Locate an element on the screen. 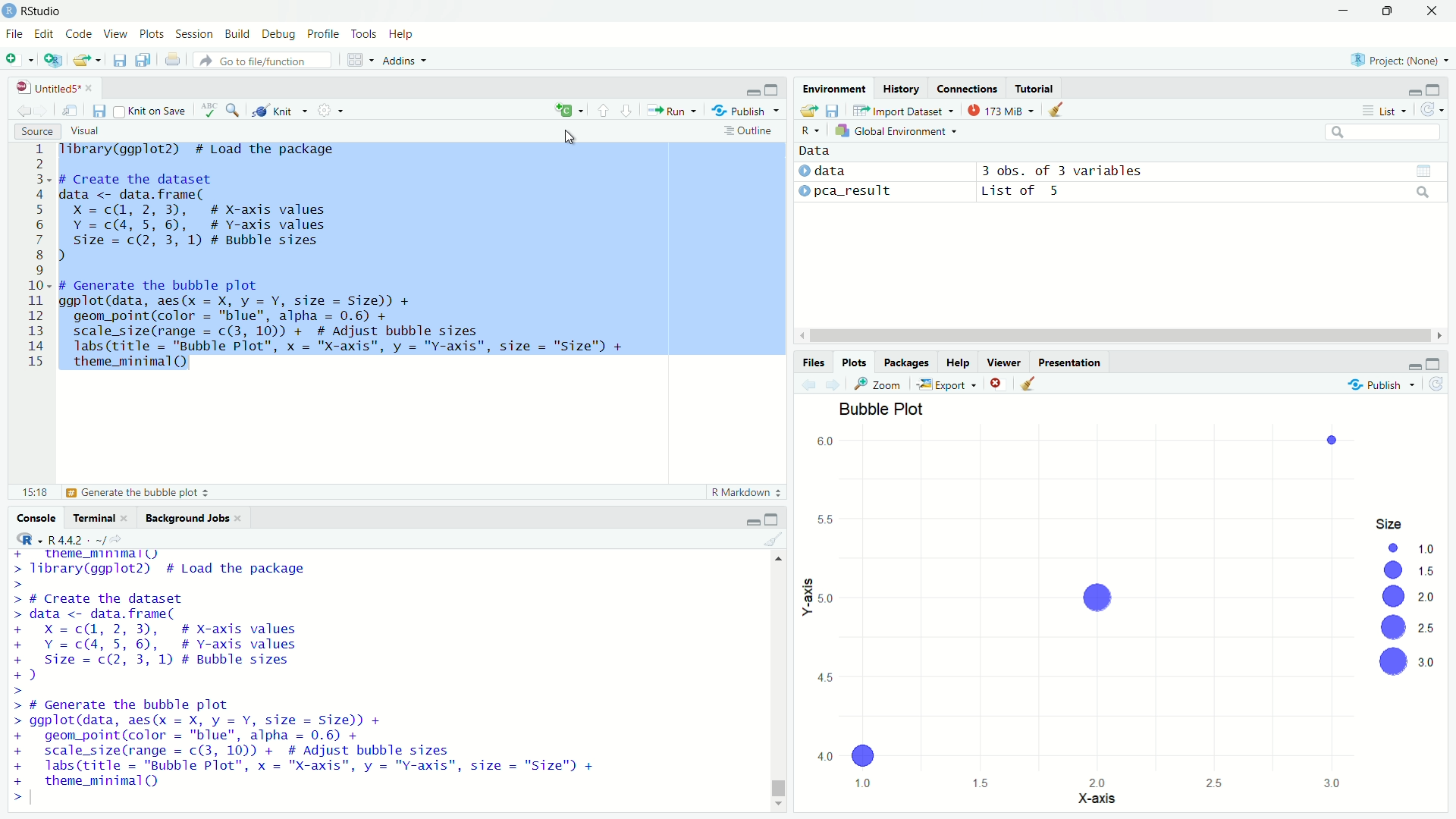 Image resolution: width=1456 pixels, height=819 pixels. publish is located at coordinates (1383, 384).